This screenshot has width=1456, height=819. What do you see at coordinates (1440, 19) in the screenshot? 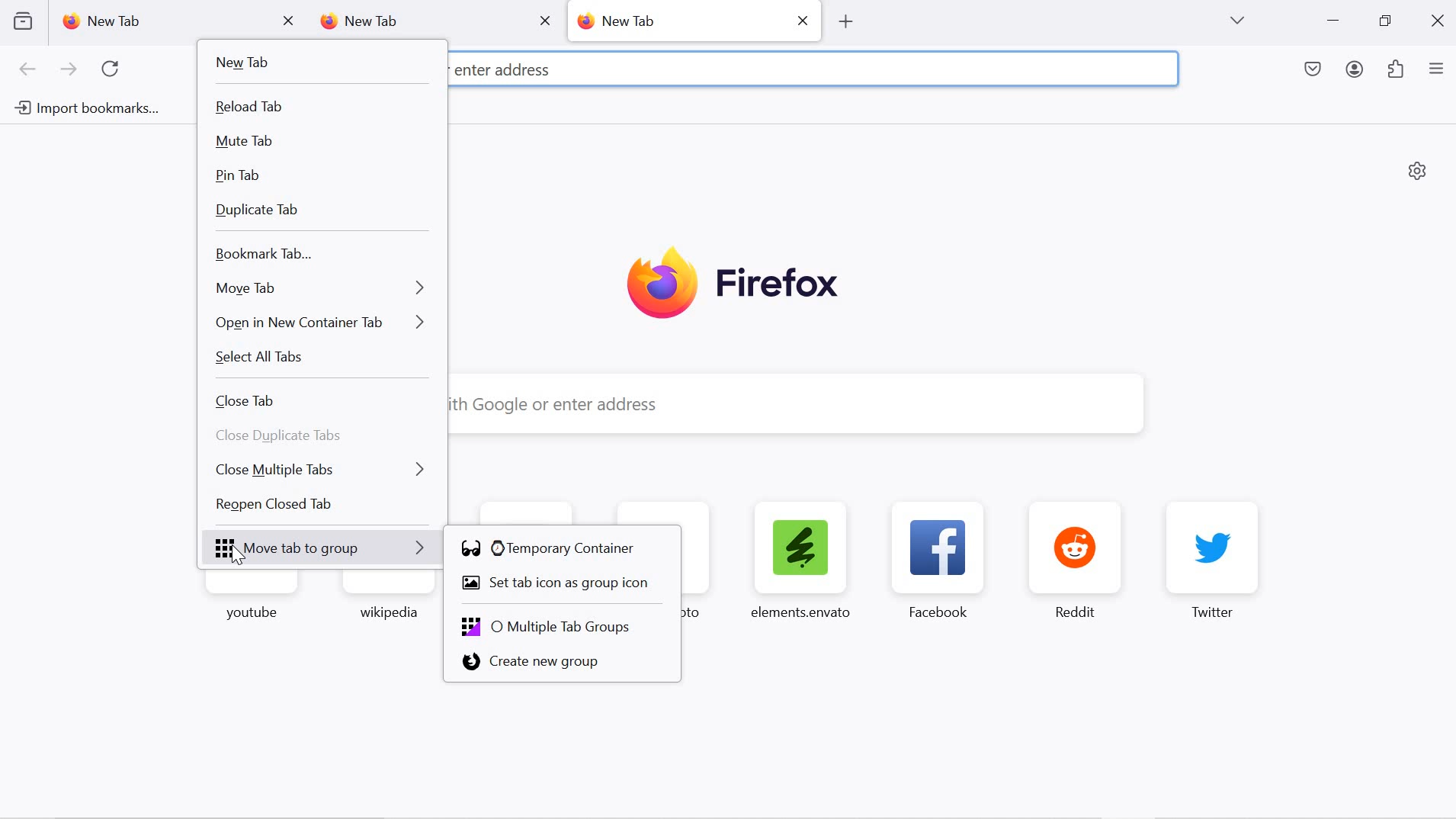
I see `close` at bounding box center [1440, 19].